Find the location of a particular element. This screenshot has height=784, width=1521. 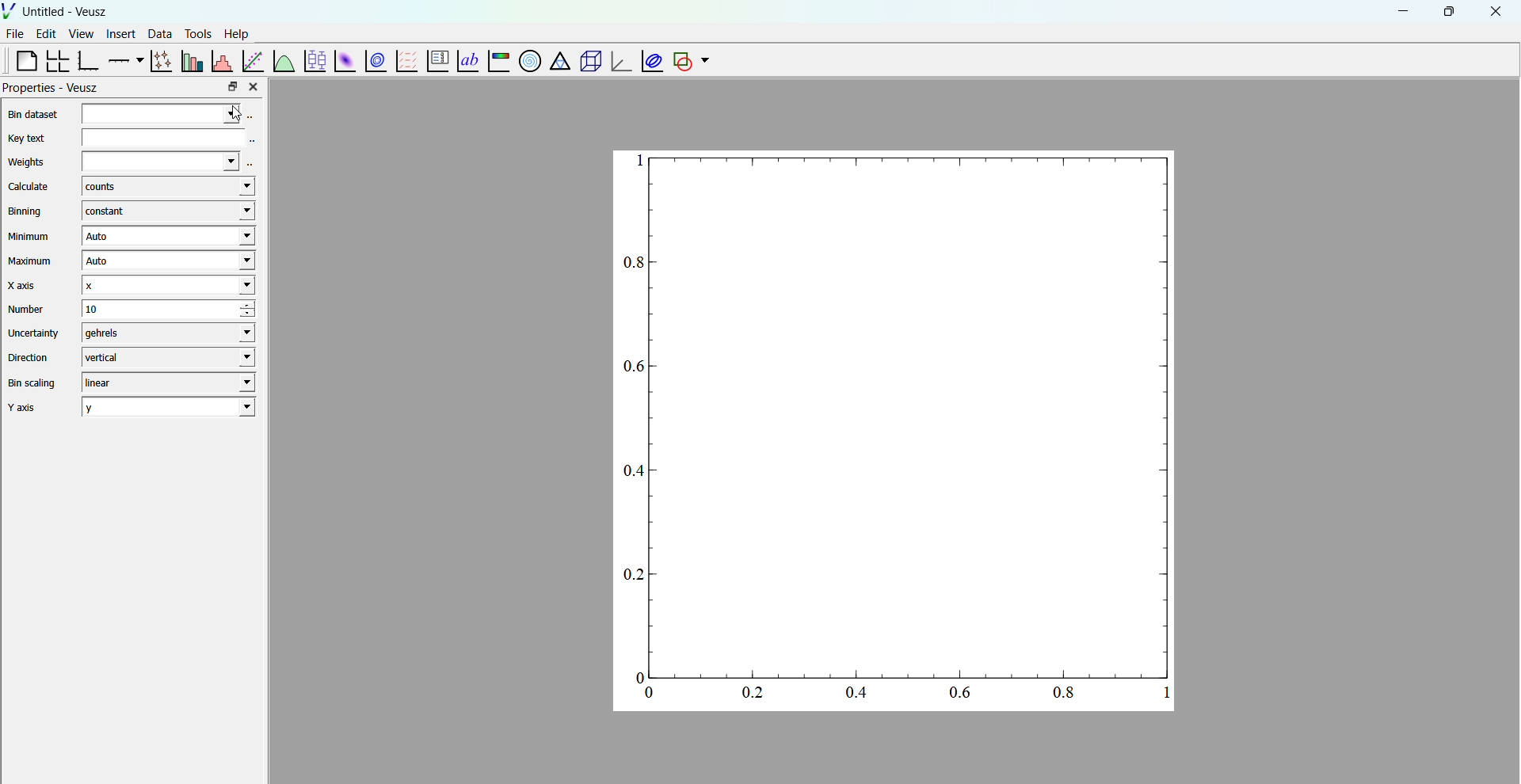

Uncertainty is located at coordinates (35, 333).